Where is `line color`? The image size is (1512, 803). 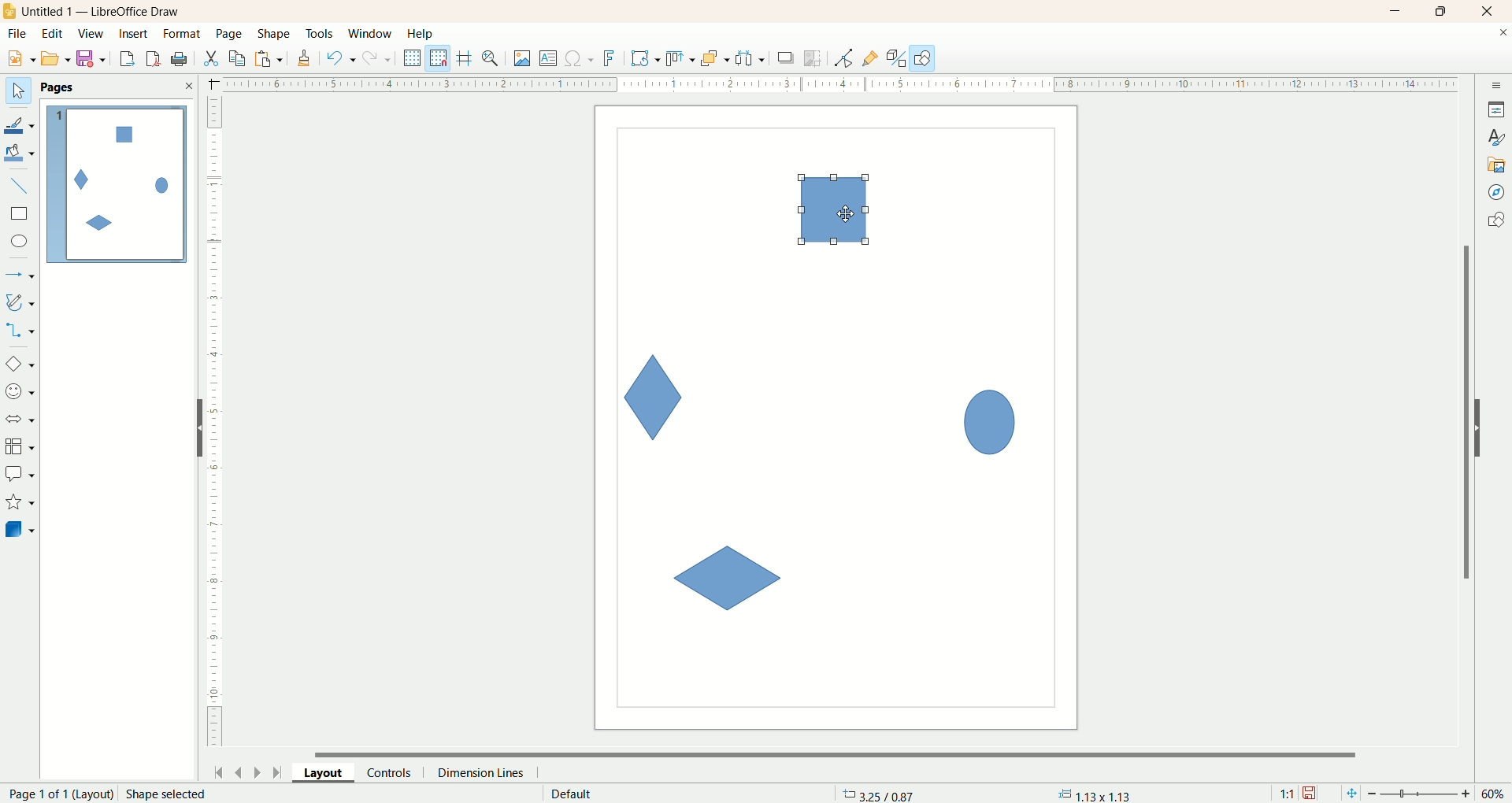 line color is located at coordinates (20, 124).